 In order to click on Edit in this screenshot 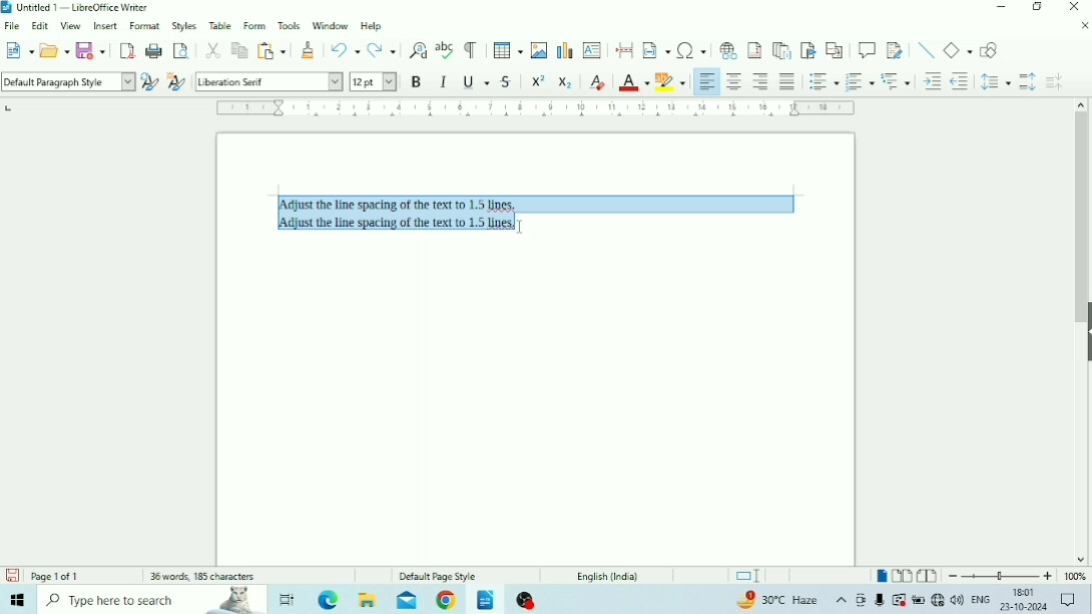, I will do `click(40, 26)`.